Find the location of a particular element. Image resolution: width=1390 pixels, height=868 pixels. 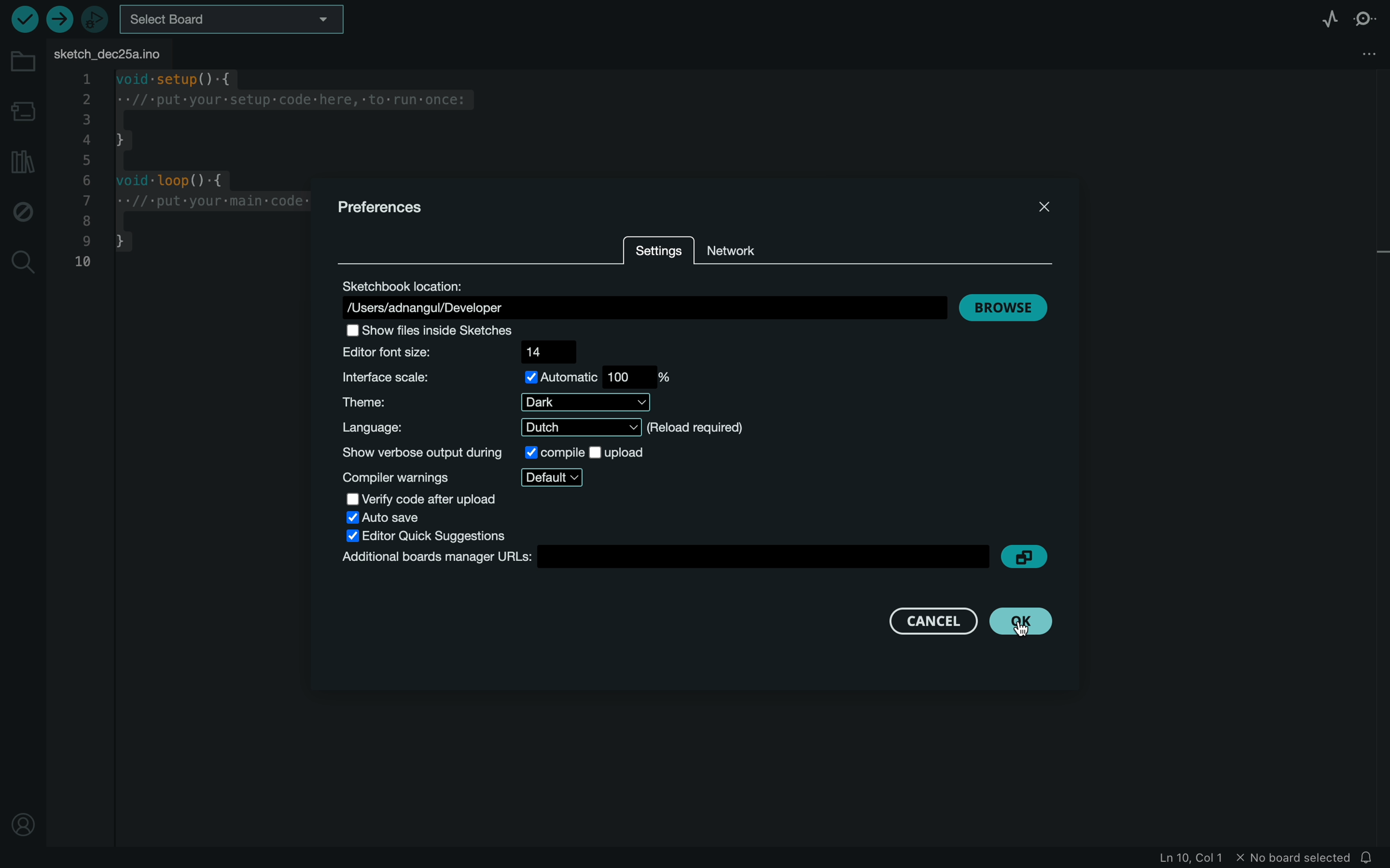

file  tab  is located at coordinates (114, 54).